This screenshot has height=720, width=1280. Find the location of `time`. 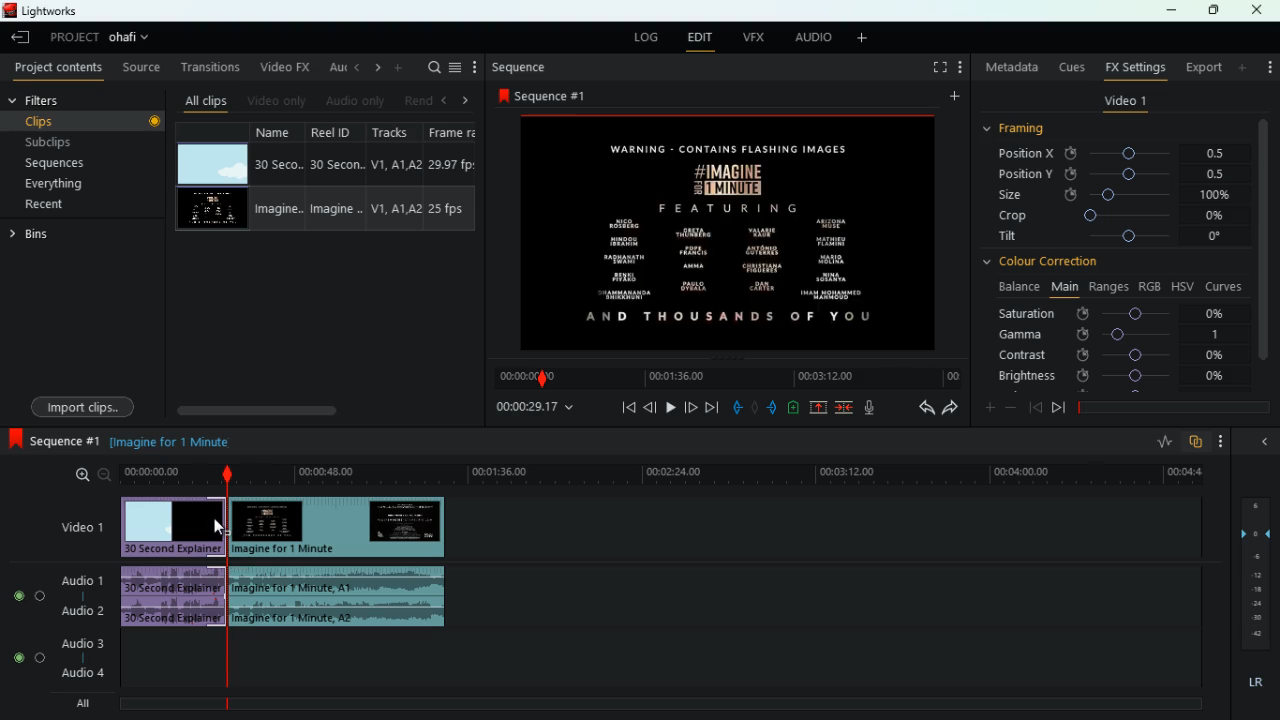

time is located at coordinates (660, 474).